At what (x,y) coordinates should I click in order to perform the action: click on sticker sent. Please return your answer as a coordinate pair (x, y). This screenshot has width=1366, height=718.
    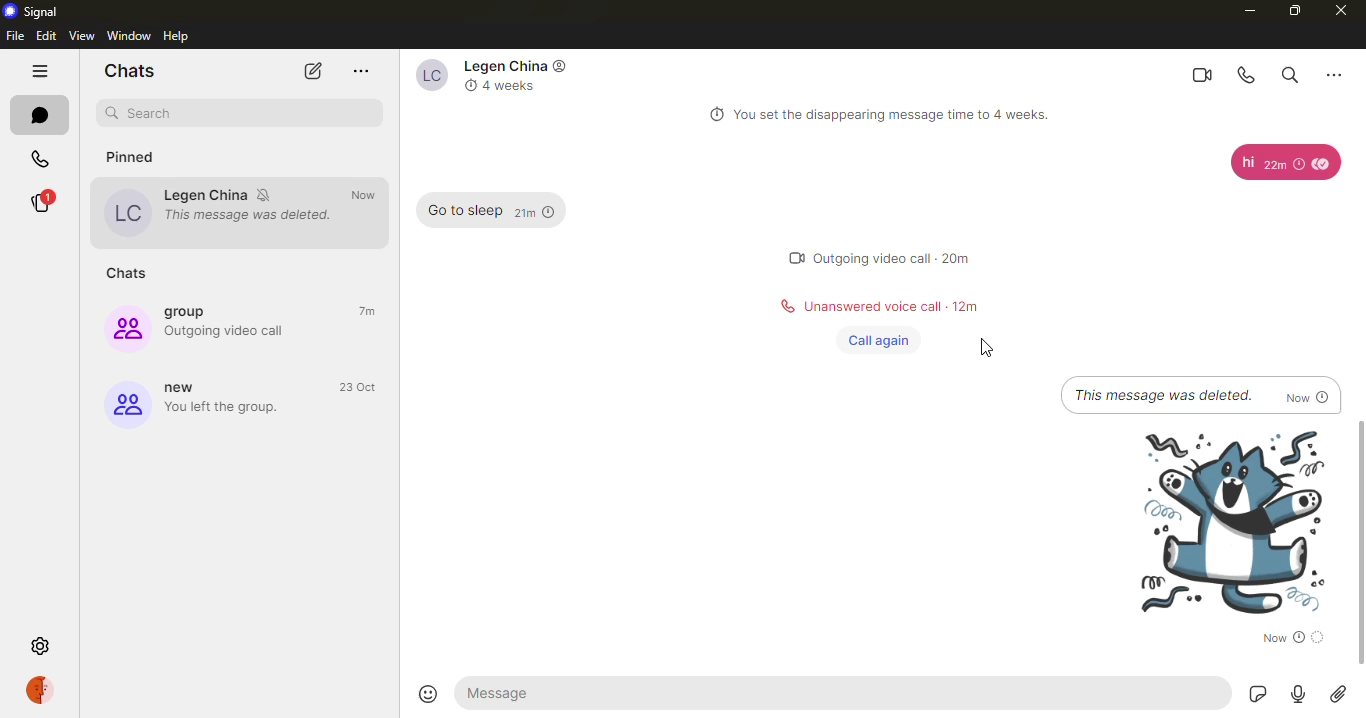
    Looking at the image, I should click on (1233, 520).